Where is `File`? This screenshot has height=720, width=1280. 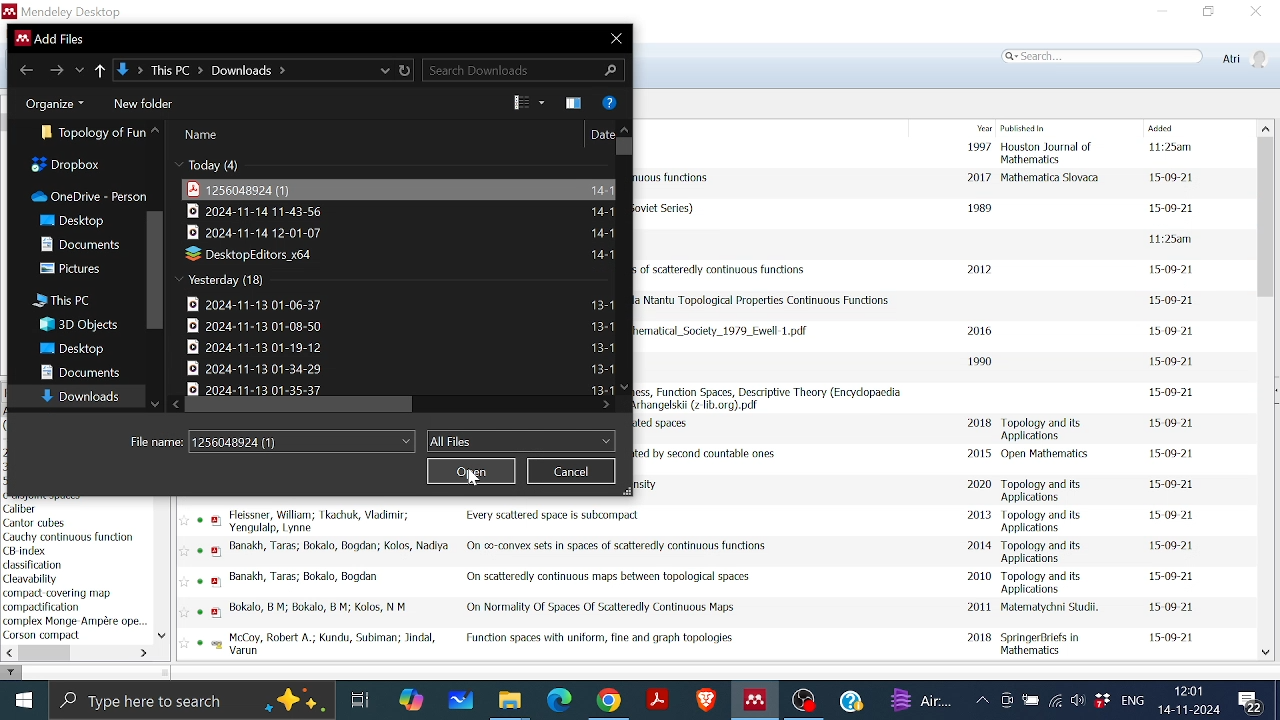
File is located at coordinates (250, 256).